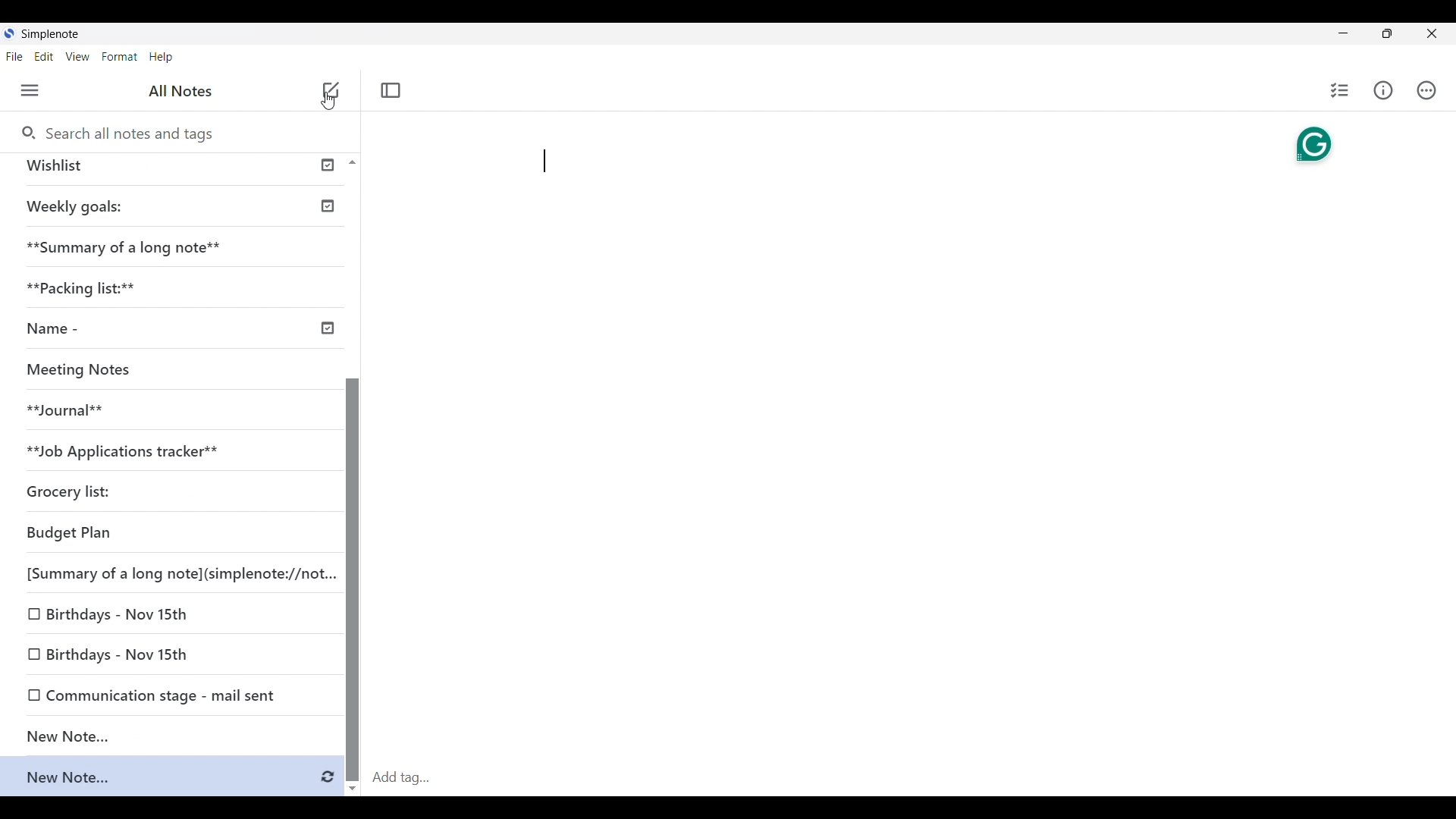 Image resolution: width=1456 pixels, height=819 pixels. Describe the element at coordinates (329, 206) in the screenshot. I see `published` at that location.